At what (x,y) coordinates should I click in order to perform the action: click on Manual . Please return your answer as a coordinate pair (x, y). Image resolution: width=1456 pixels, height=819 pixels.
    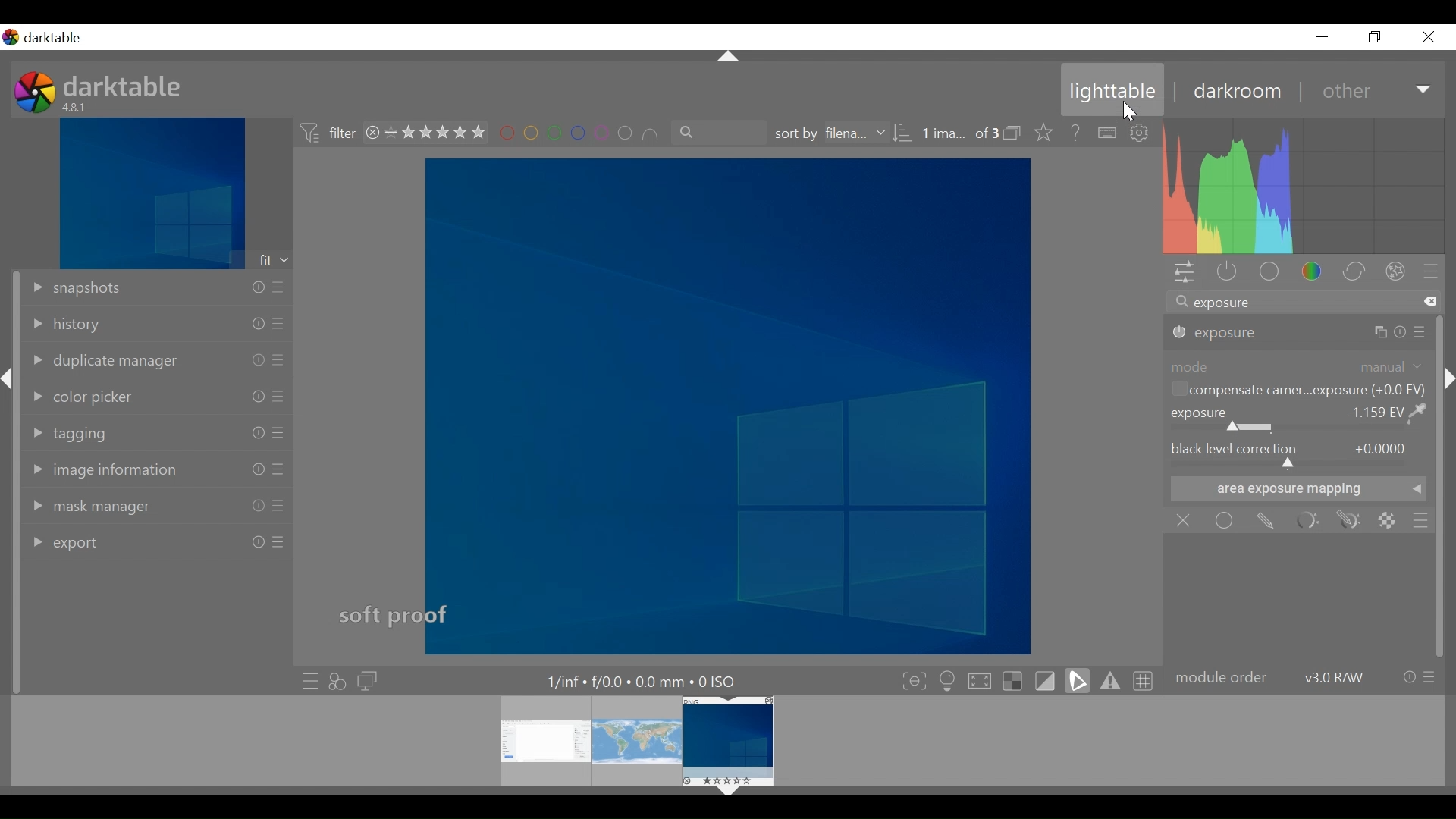
    Looking at the image, I should click on (1392, 366).